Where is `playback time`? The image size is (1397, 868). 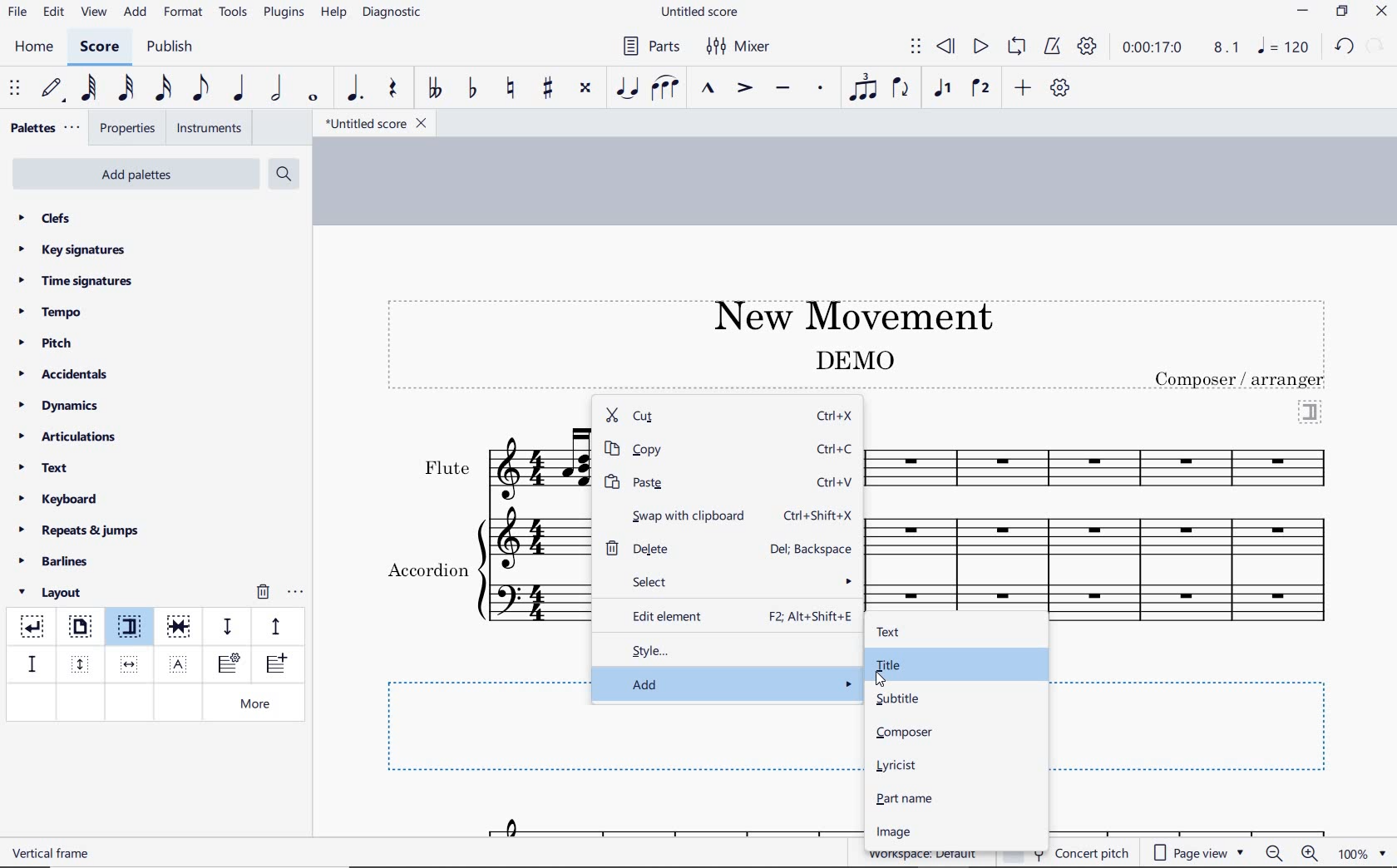 playback time is located at coordinates (1153, 47).